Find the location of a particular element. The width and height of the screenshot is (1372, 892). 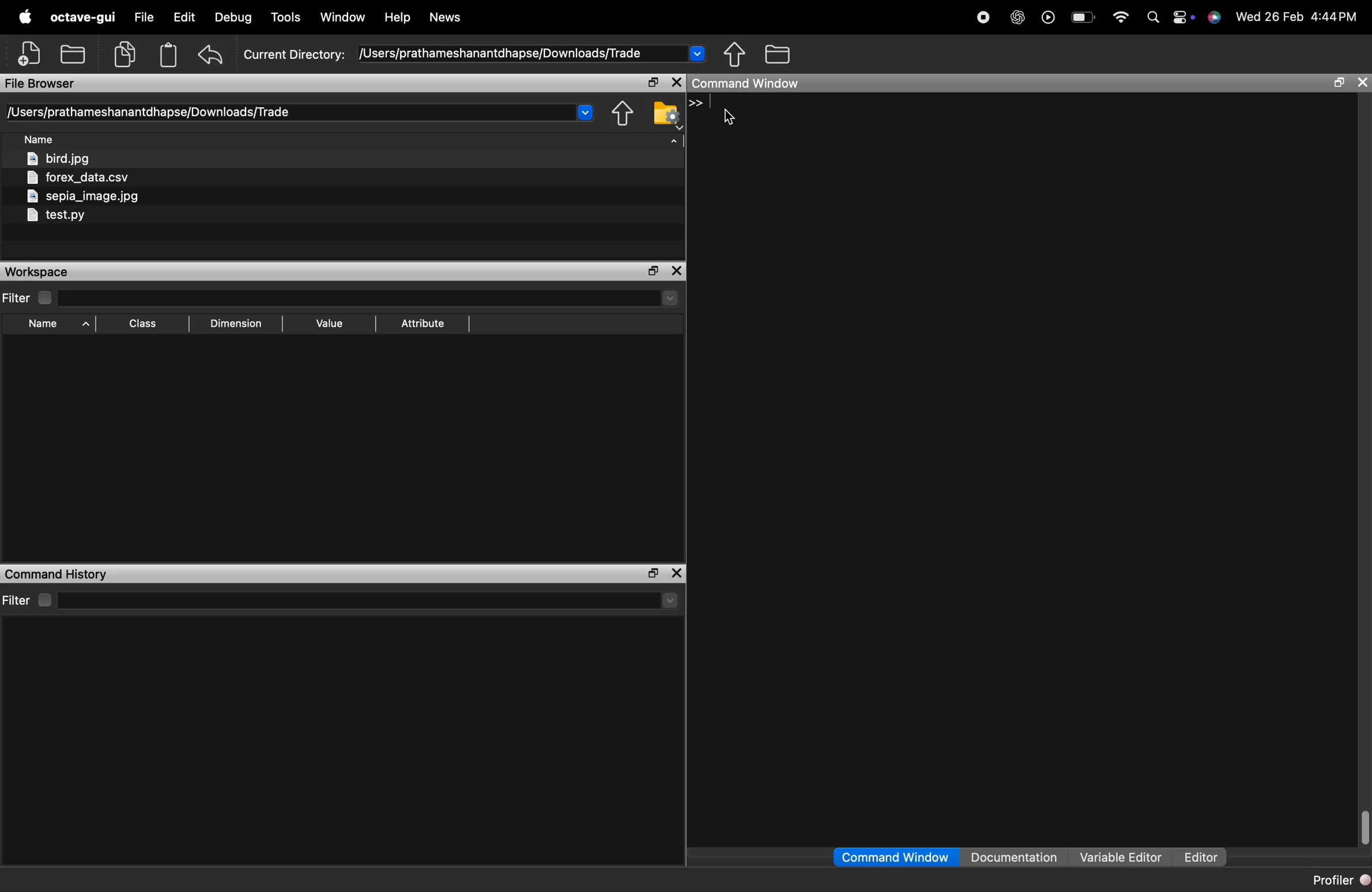

/Users/prathameshanantdhapse/Downloads/Trade is located at coordinates (502, 54).